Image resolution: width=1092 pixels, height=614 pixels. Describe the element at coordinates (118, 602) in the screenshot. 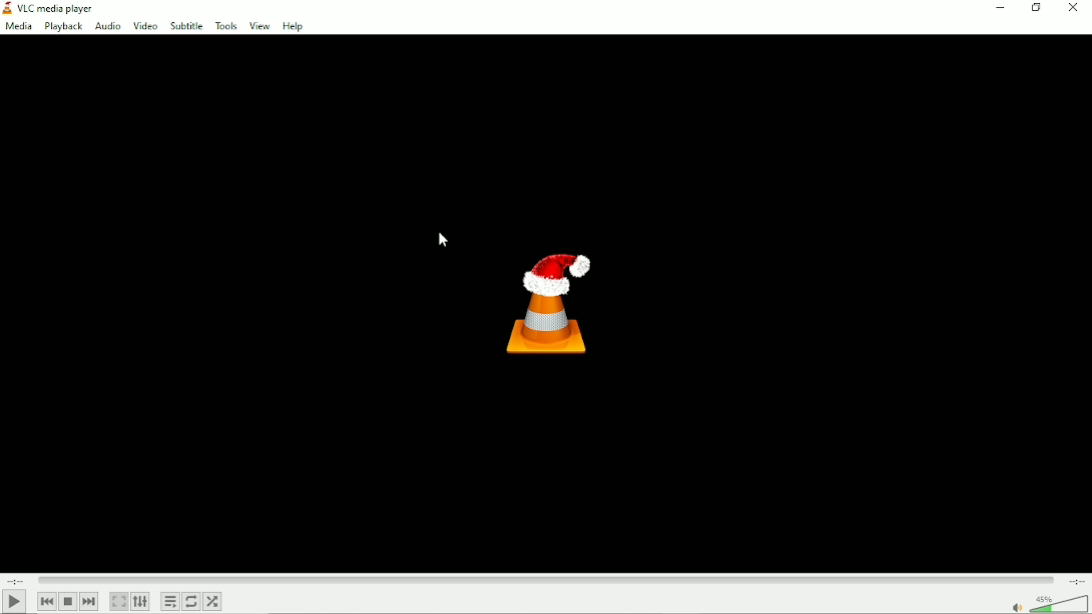

I see `Toggle video in fullscreen` at that location.